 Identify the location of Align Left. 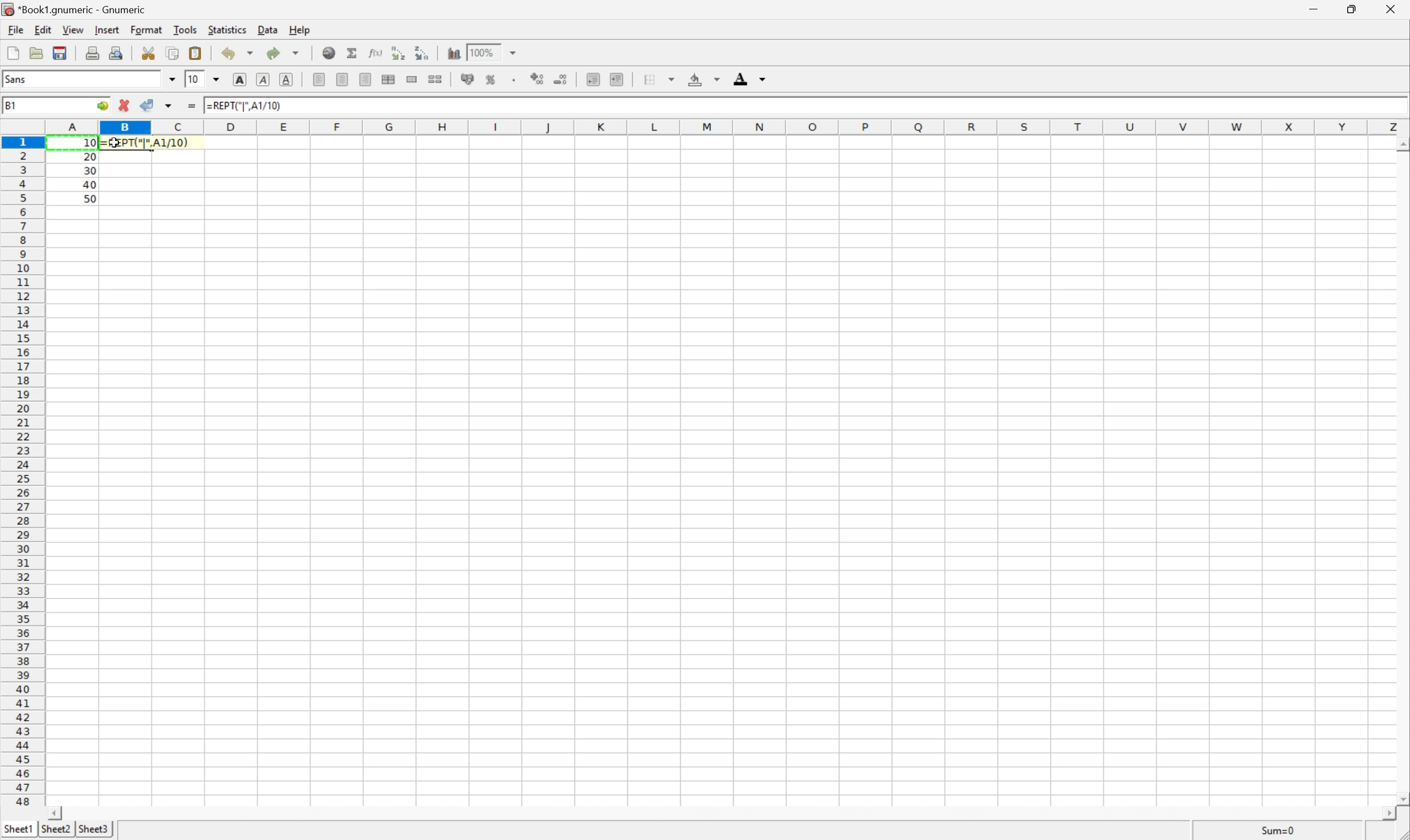
(318, 79).